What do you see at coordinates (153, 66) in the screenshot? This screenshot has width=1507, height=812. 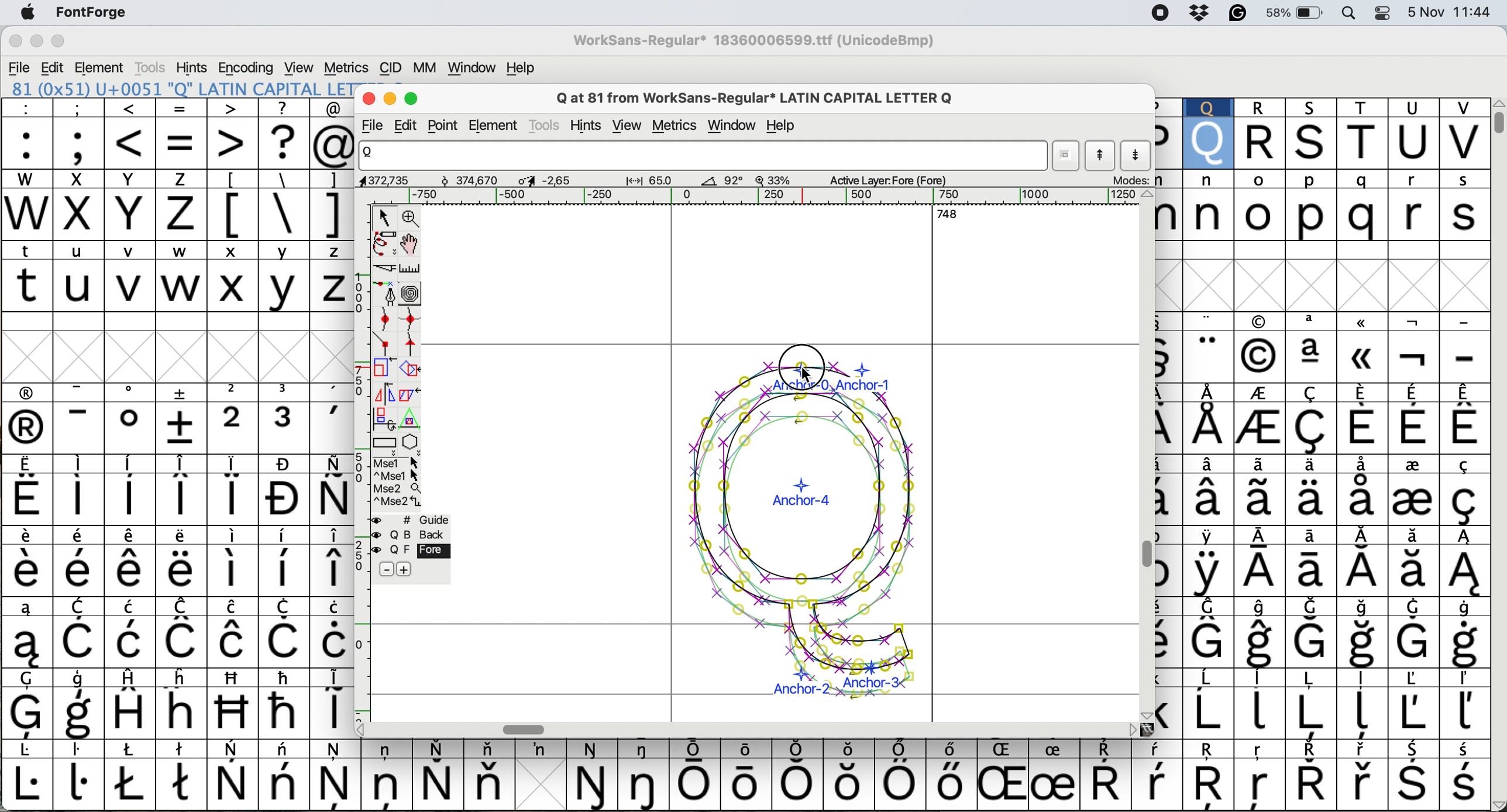 I see `tools` at bounding box center [153, 66].